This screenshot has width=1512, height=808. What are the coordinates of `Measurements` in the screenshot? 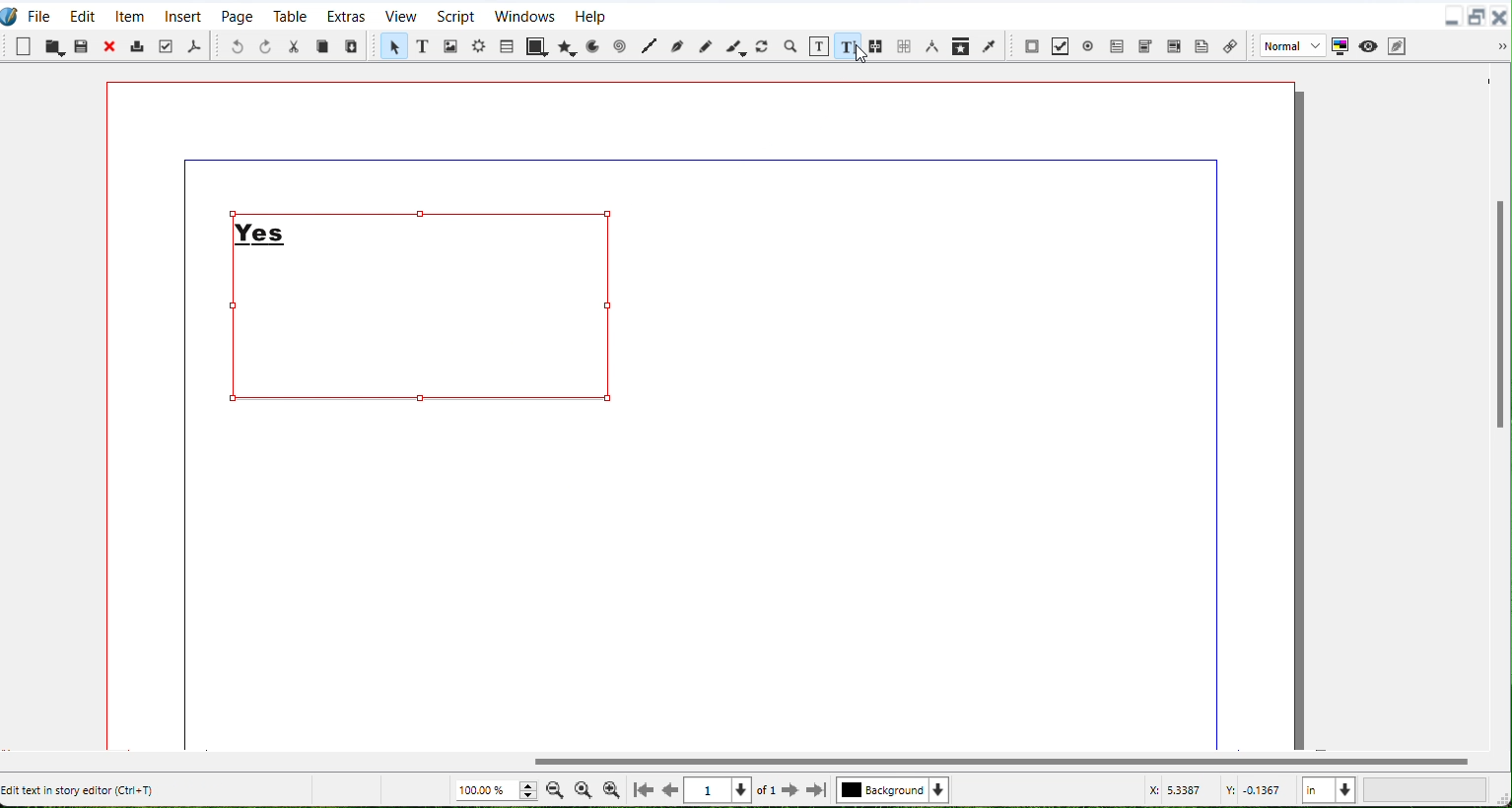 It's located at (933, 46).